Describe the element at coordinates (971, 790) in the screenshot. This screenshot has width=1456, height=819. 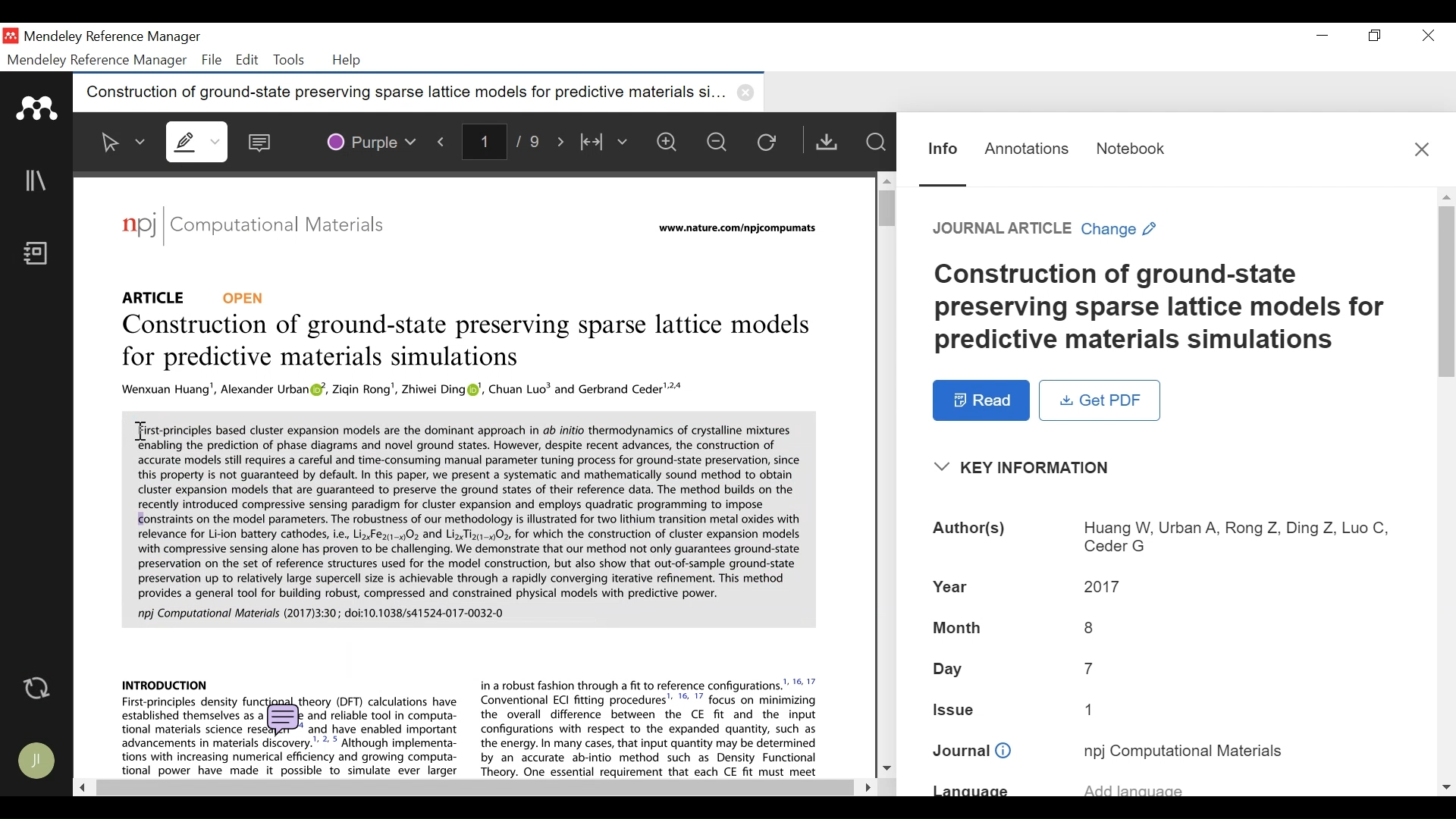
I see `Language` at that location.